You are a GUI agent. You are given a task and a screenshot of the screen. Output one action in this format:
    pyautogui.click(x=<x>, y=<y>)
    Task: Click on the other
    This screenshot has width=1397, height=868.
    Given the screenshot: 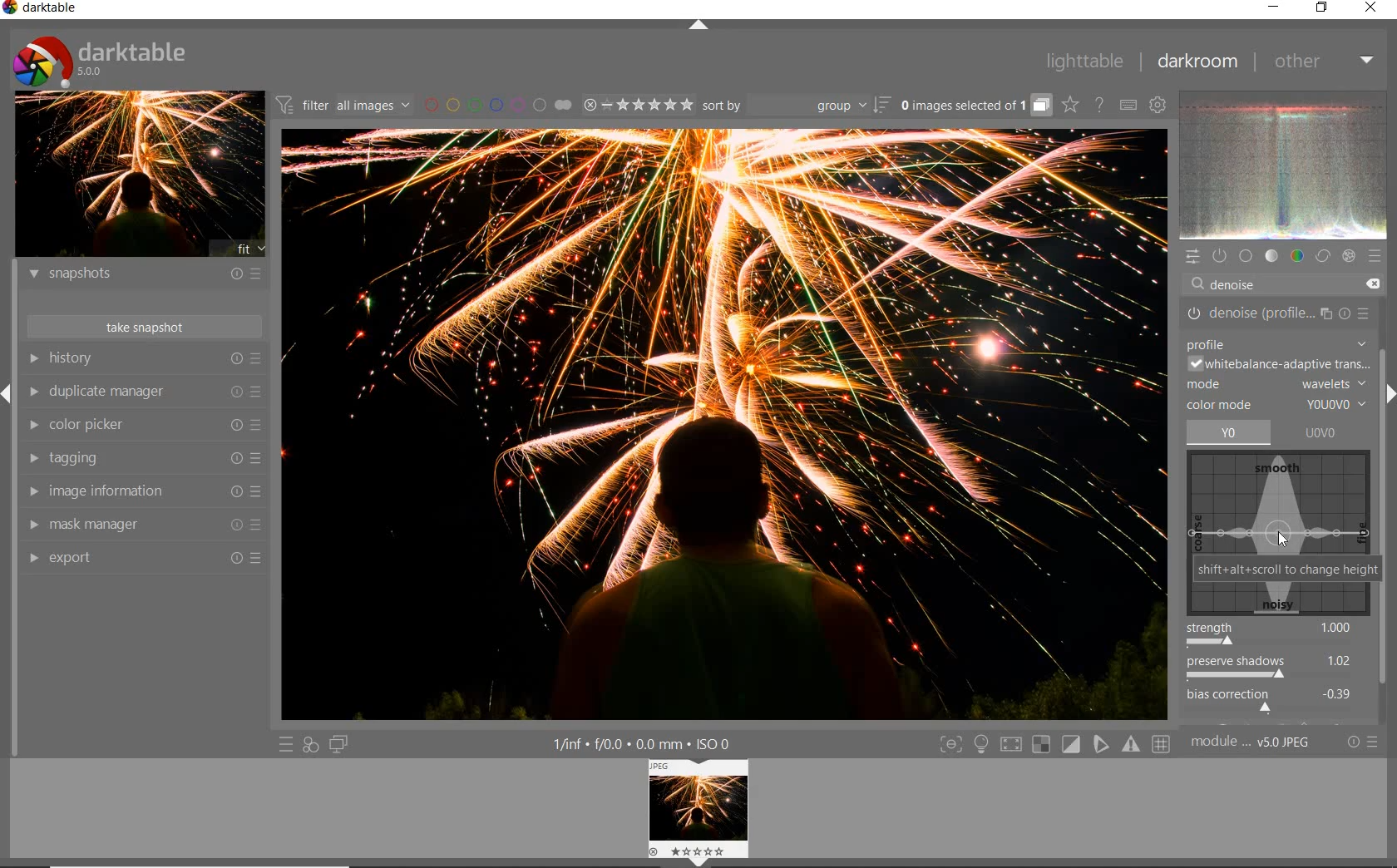 What is the action you would take?
    pyautogui.click(x=1325, y=62)
    